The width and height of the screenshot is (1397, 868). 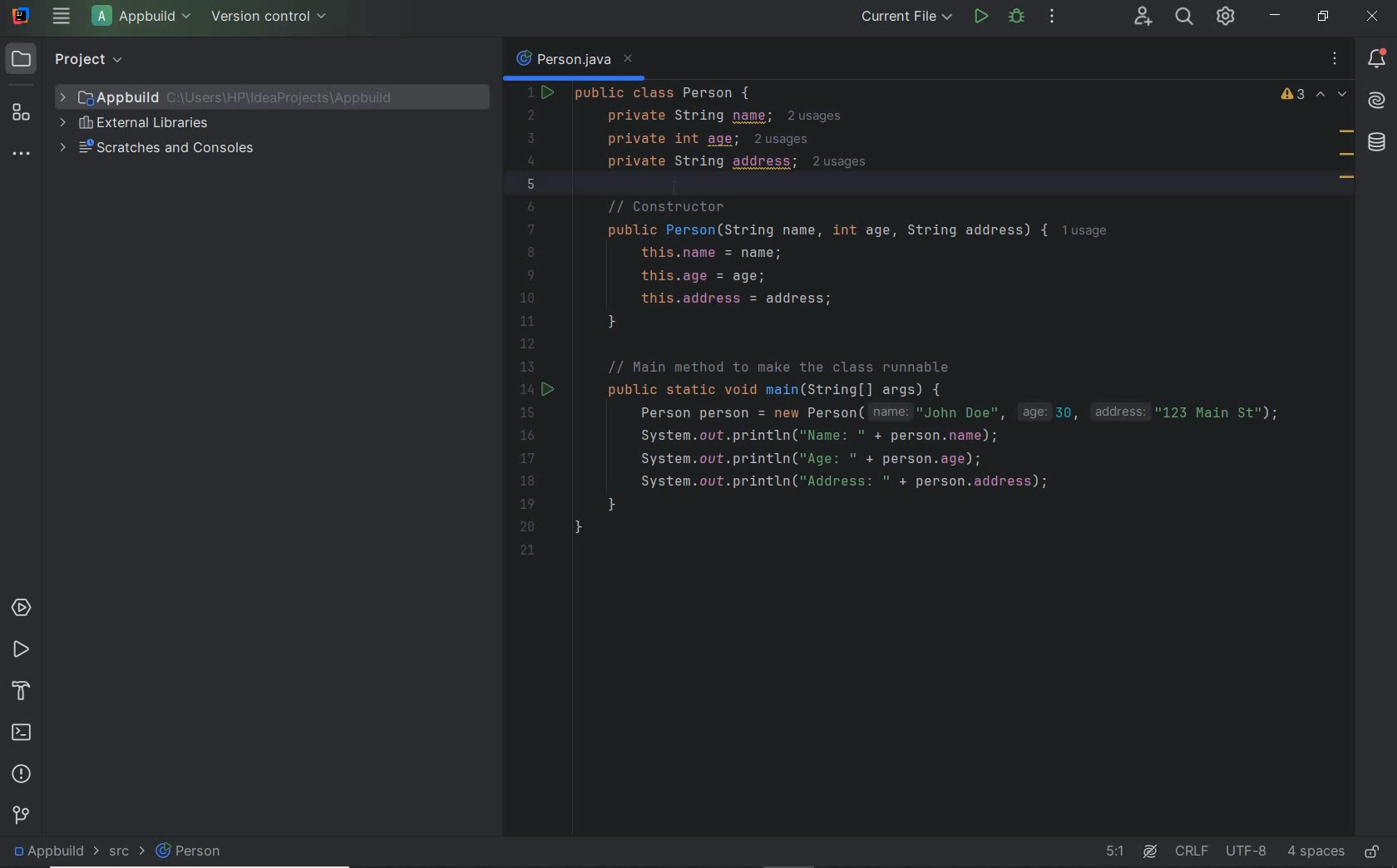 What do you see at coordinates (1247, 851) in the screenshot?
I see `file encoding` at bounding box center [1247, 851].